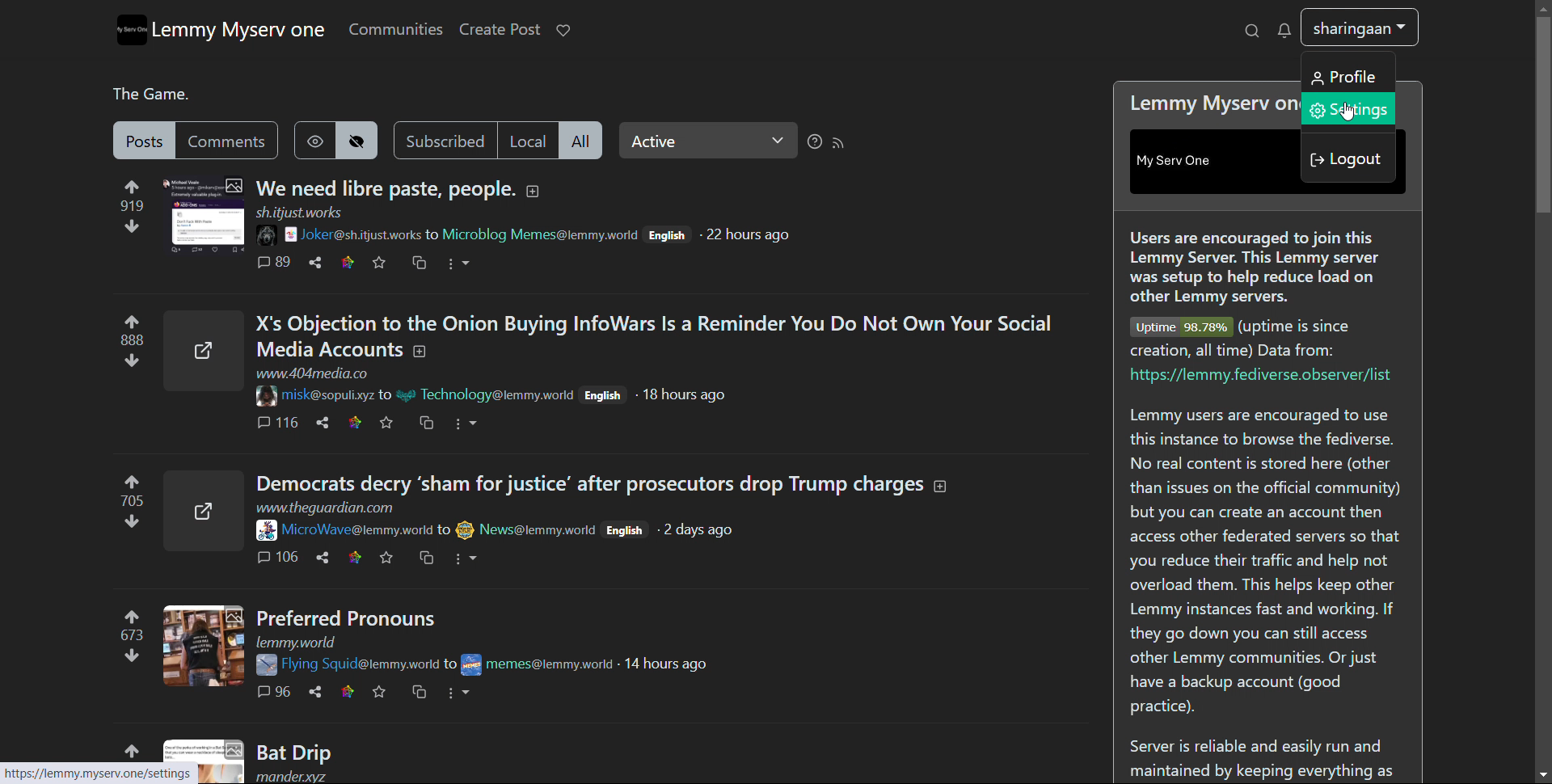  Describe the element at coordinates (1271, 564) in the screenshot. I see `Lemmy users are encouraged to use
this instance to browse the fediverse.
No real content is stored here (other
than issues on the official community)
but you can create an account then
access other federated servers so that
you reduce their traffic and help not
overload them. This helps keep other
Lemmy instances fast and working. If
they go down you can still access
other Lemmy communities. Or just
have a backup account (good
practice).` at that location.